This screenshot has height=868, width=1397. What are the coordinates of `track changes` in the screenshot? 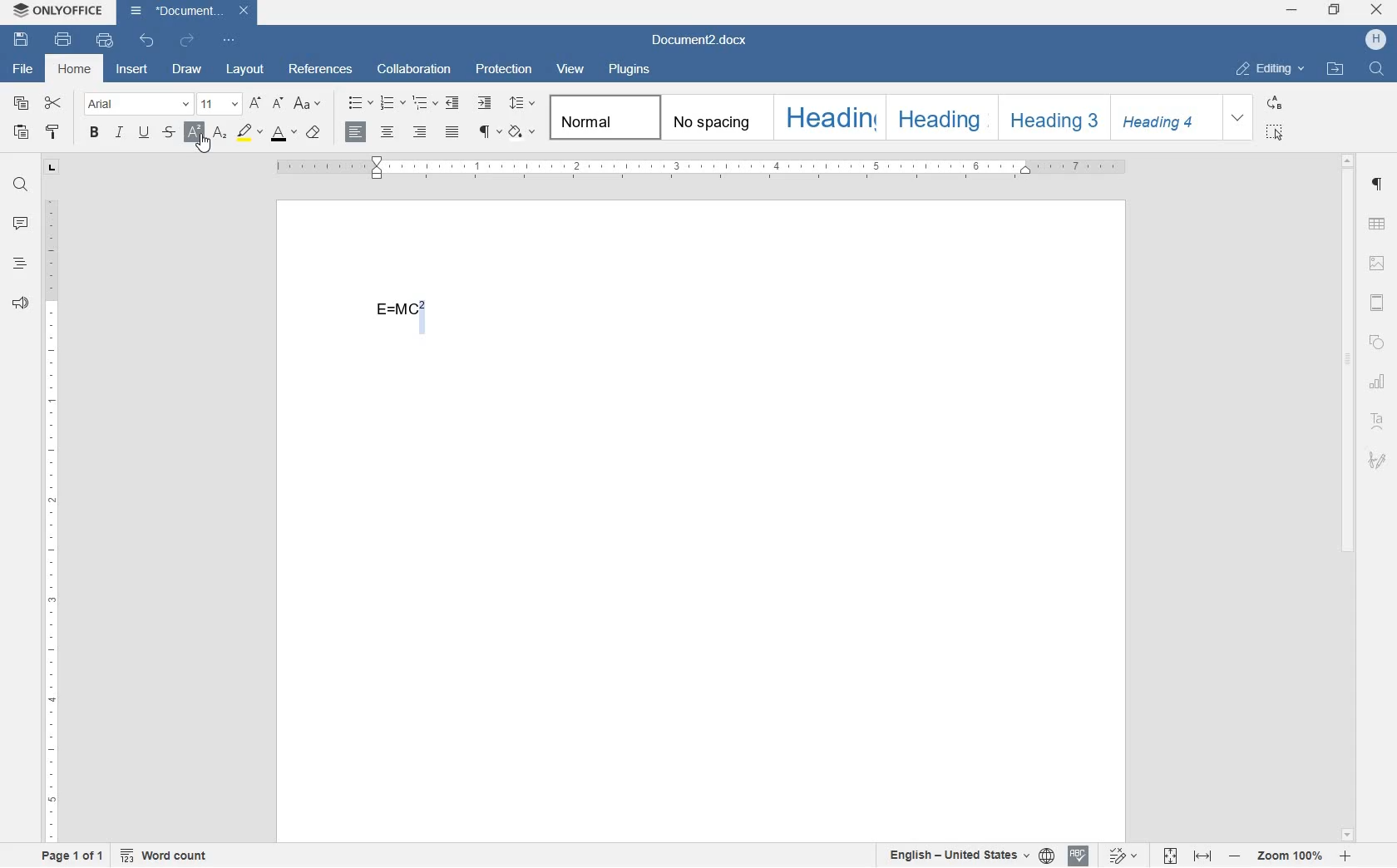 It's located at (1124, 856).